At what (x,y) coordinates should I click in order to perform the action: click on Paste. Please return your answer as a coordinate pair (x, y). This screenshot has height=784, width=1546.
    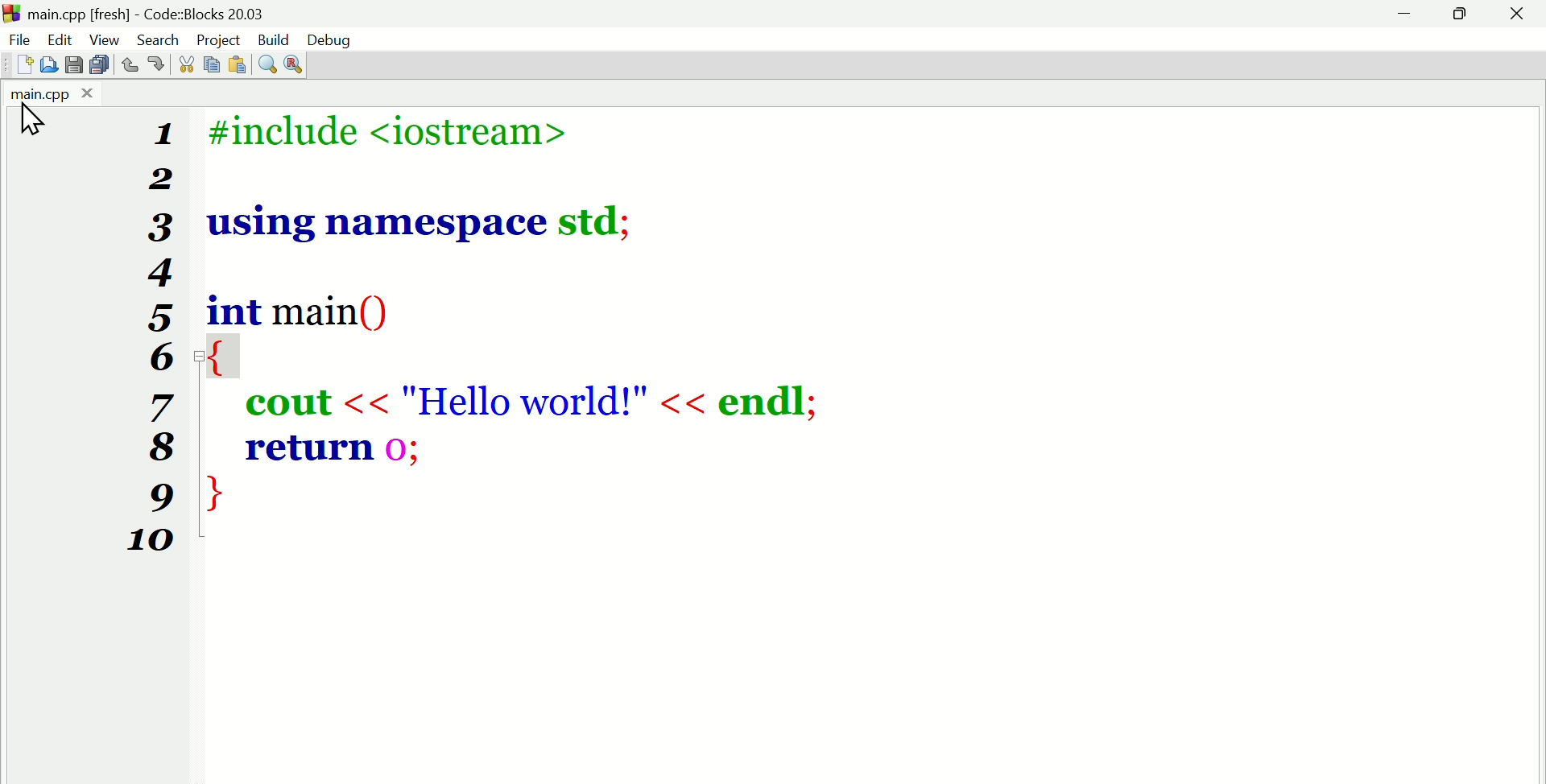
    Looking at the image, I should click on (213, 63).